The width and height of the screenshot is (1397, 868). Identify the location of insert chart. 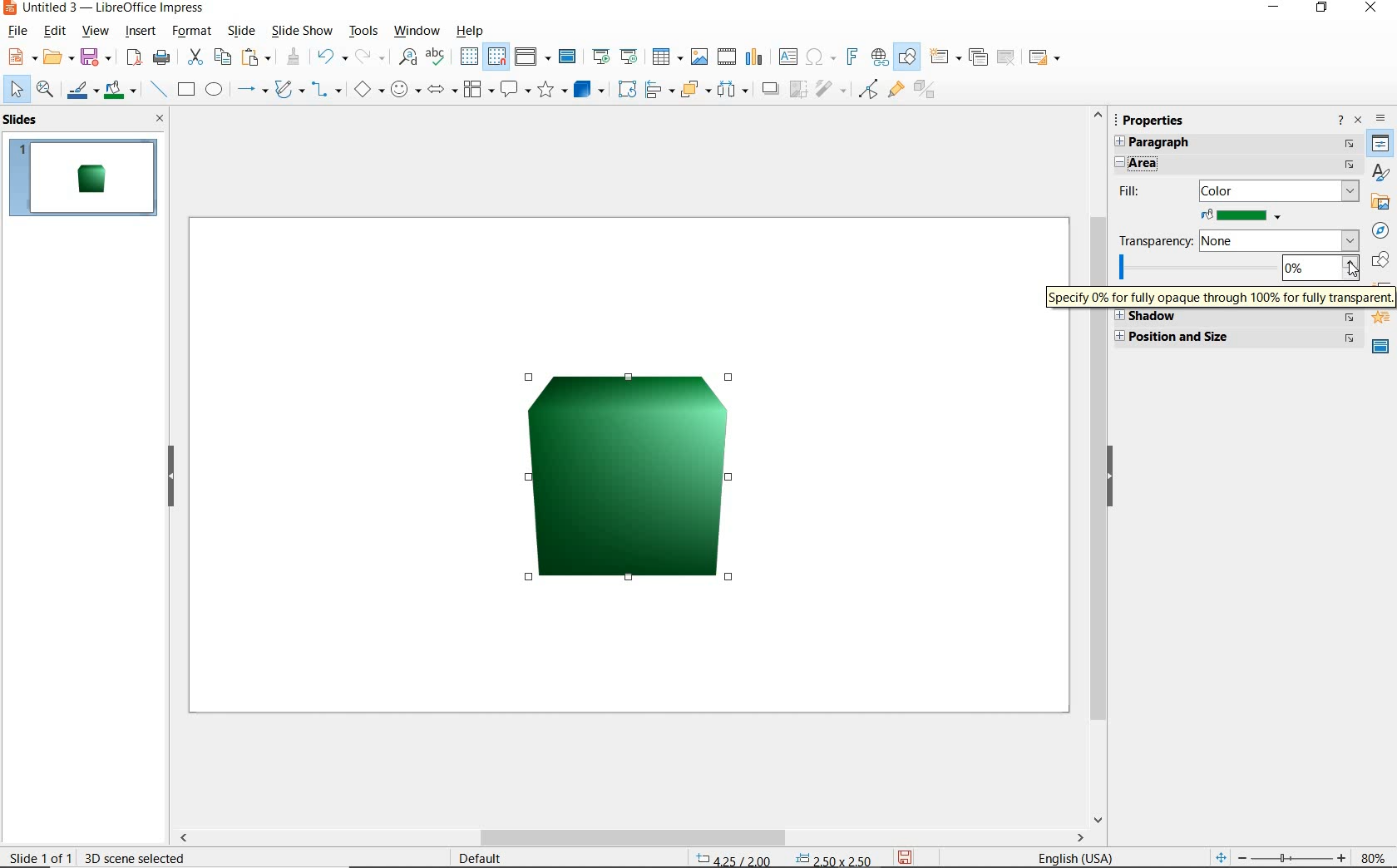
(753, 57).